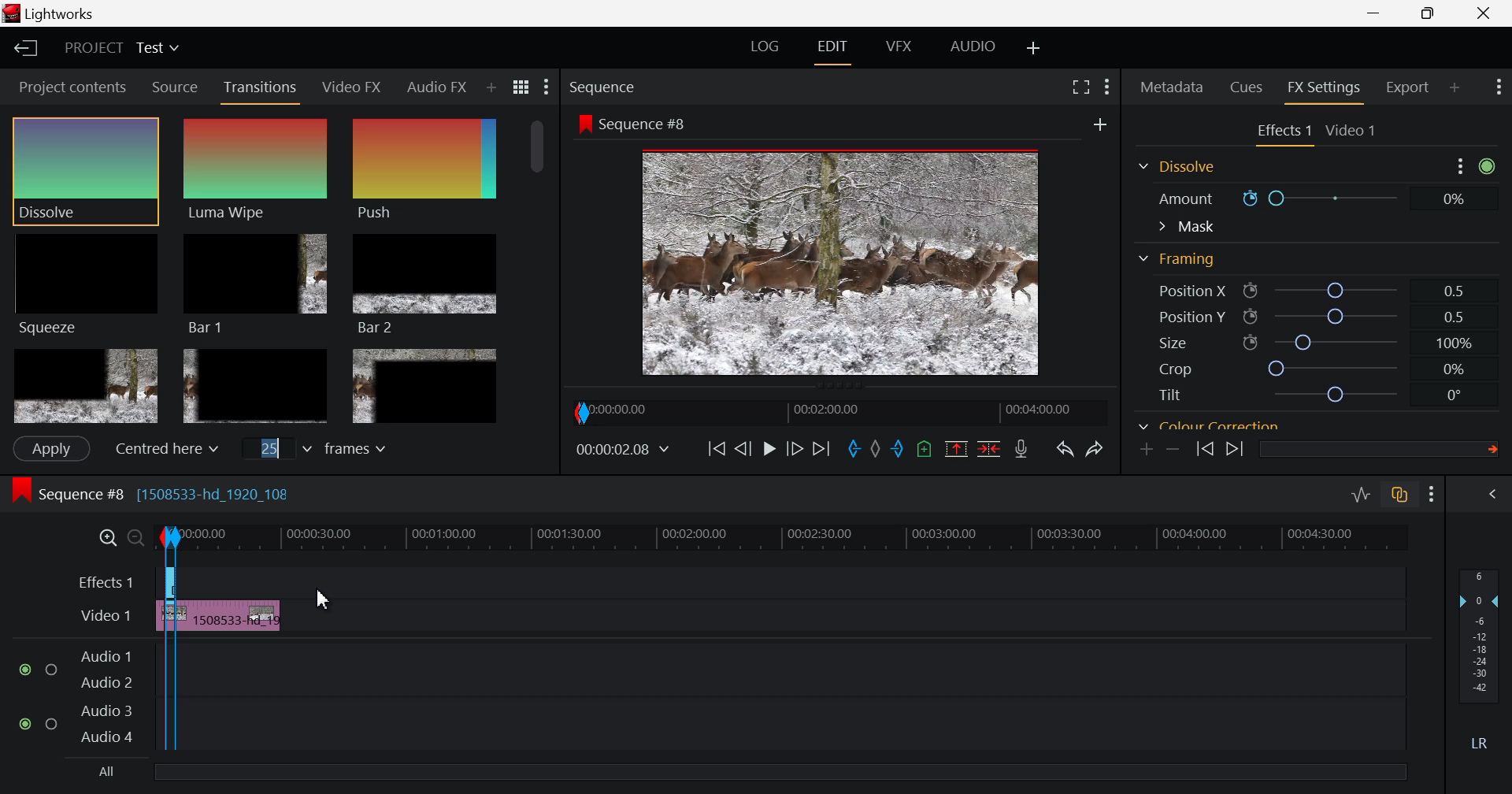 The height and width of the screenshot is (794, 1512). What do you see at coordinates (20, 50) in the screenshot?
I see `Back to Homepage` at bounding box center [20, 50].